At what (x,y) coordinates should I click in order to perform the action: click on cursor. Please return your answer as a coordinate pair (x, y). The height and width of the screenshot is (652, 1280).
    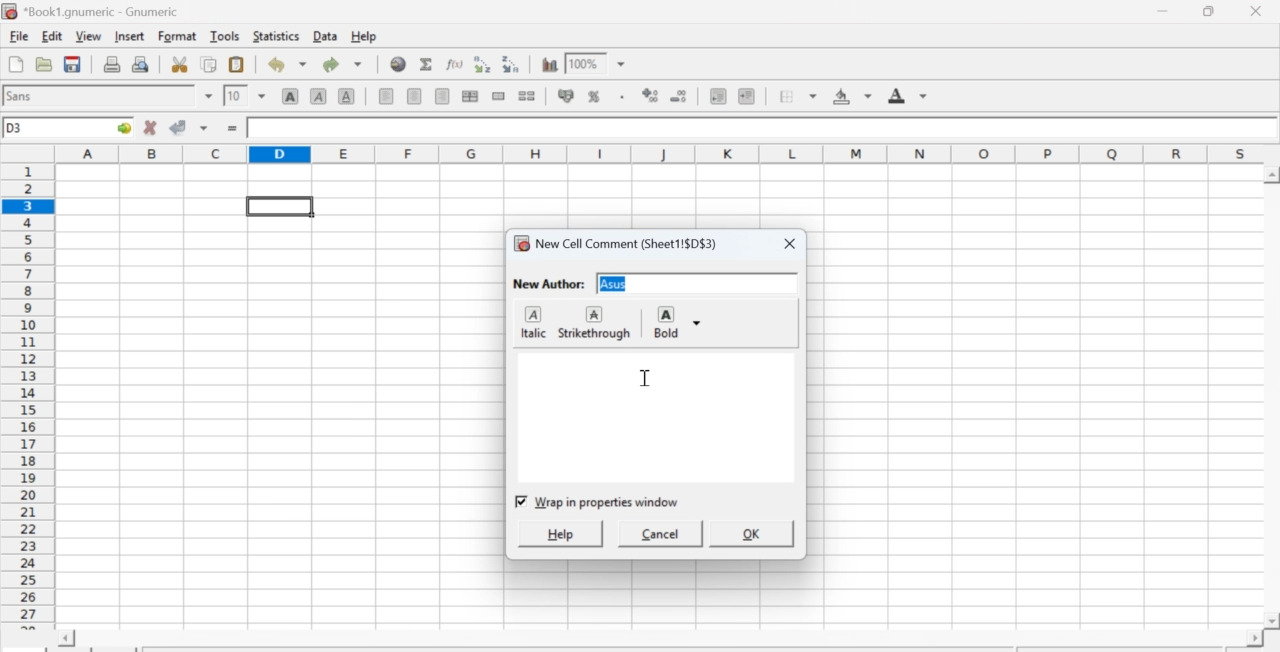
    Looking at the image, I should click on (645, 380).